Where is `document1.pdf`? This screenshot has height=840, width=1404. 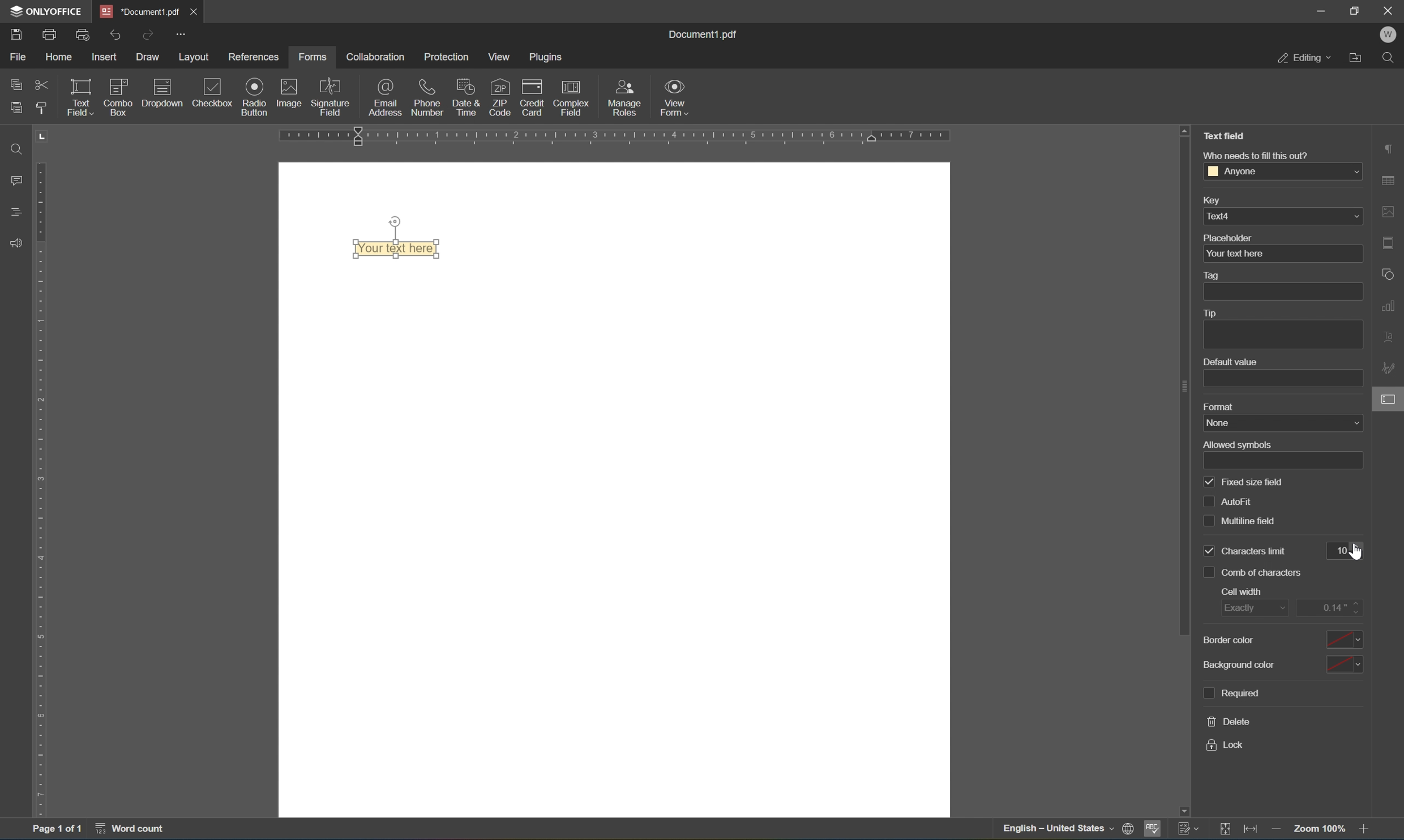
document1.pdf is located at coordinates (701, 35).